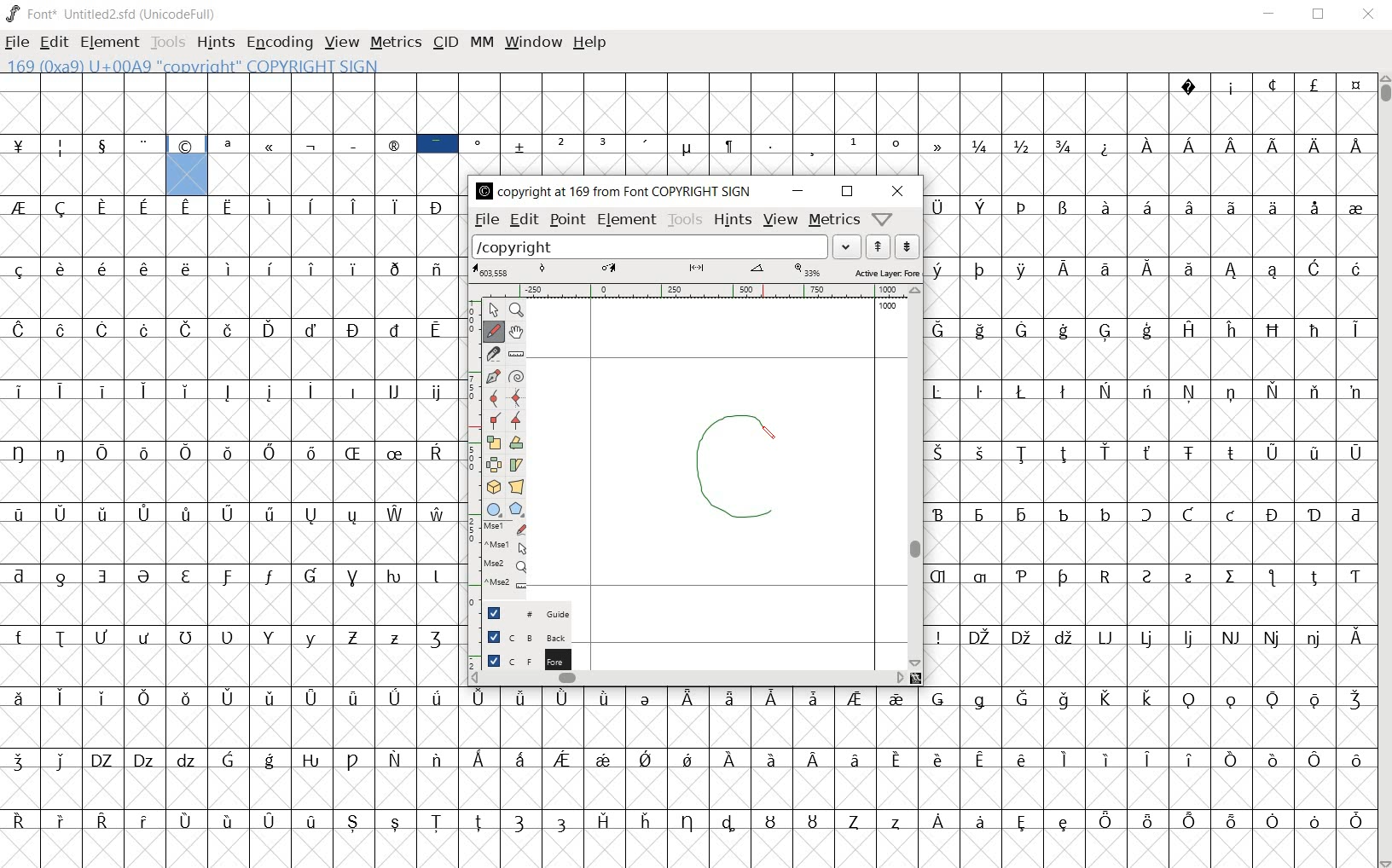  Describe the element at coordinates (494, 443) in the screenshot. I see `scale the selection` at that location.